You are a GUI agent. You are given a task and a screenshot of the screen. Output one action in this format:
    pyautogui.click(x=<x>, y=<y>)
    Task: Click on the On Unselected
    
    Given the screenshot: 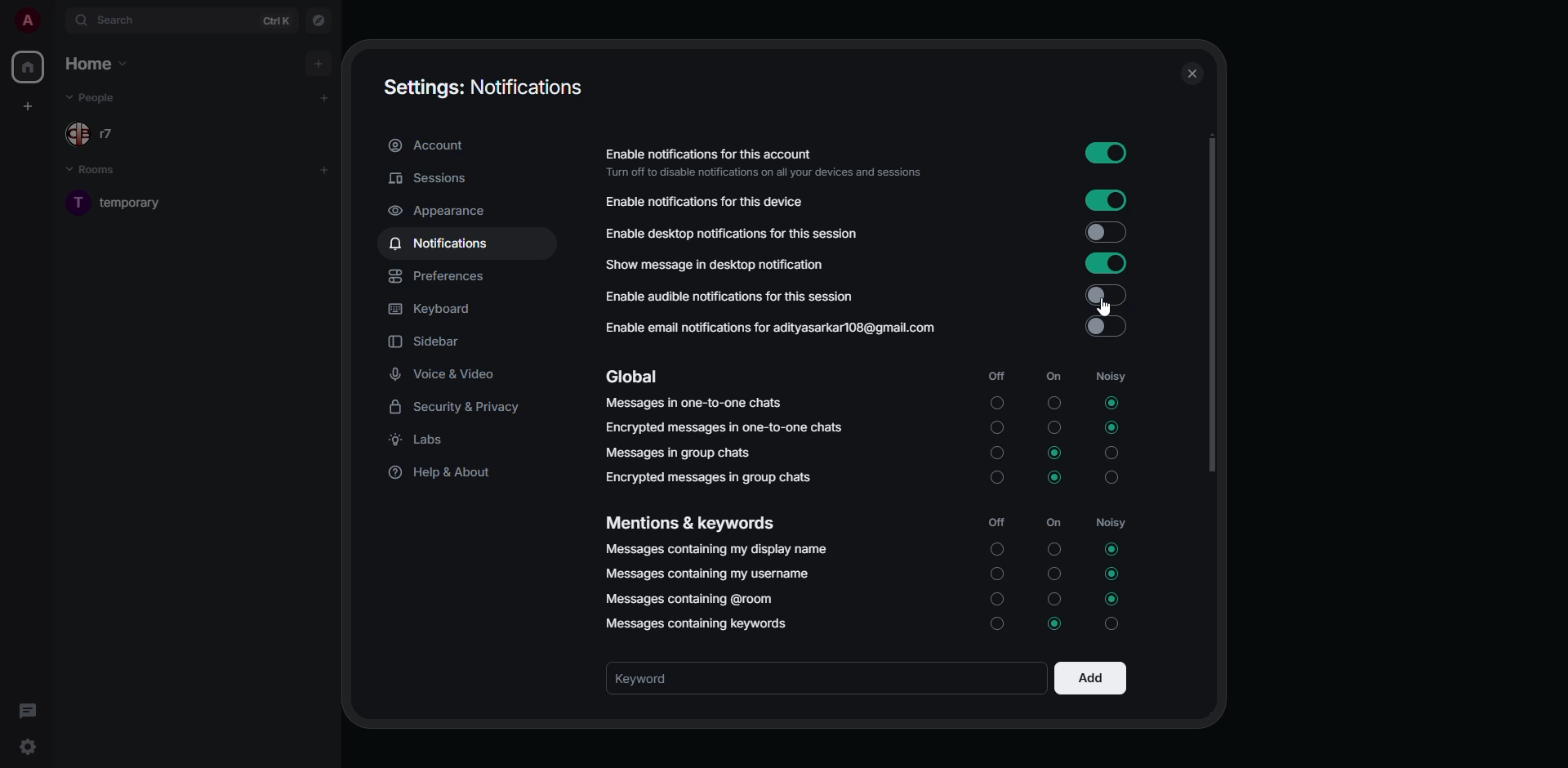 What is the action you would take?
    pyautogui.click(x=1053, y=598)
    